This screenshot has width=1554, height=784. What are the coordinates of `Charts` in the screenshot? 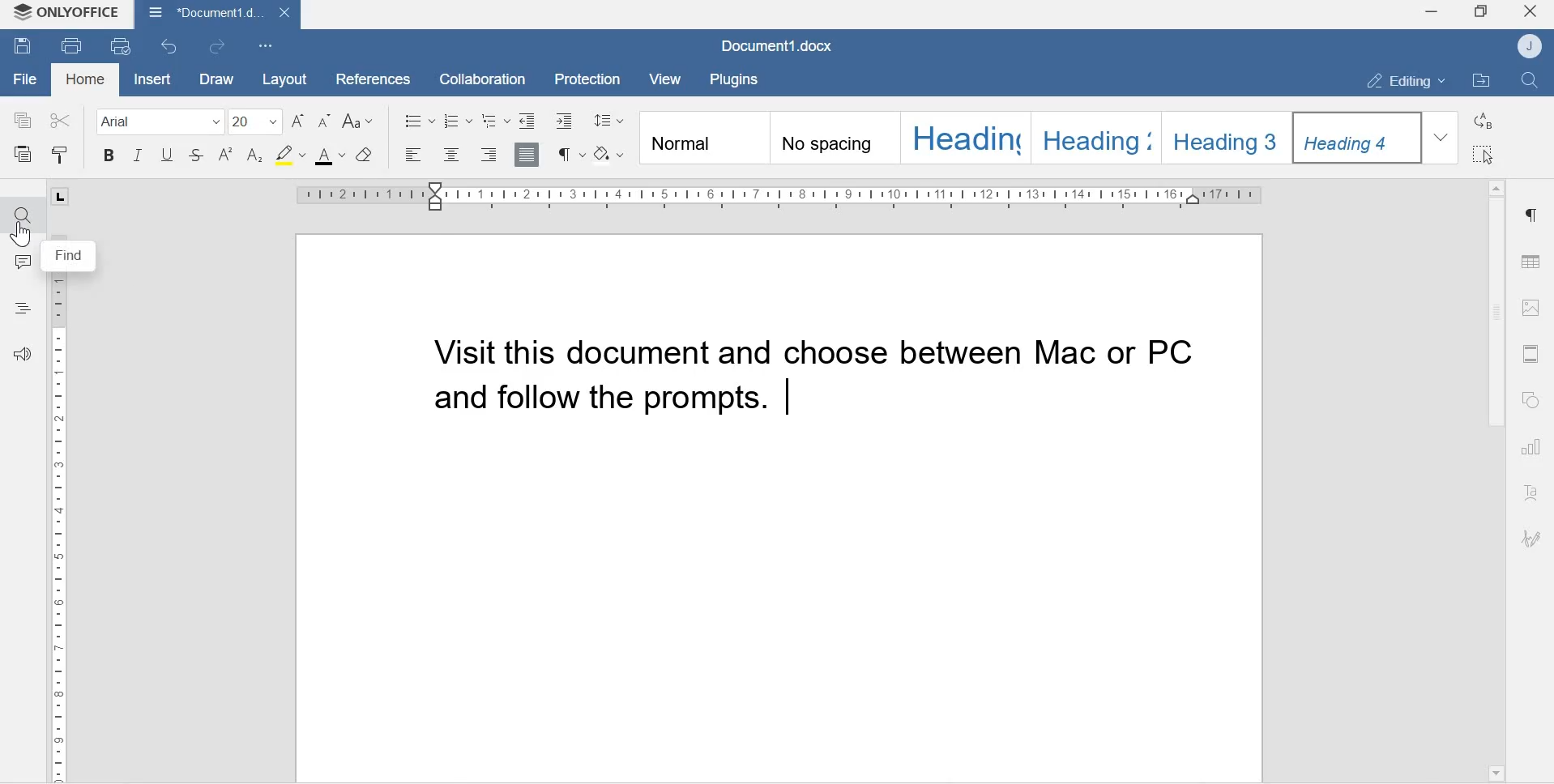 It's located at (1533, 449).